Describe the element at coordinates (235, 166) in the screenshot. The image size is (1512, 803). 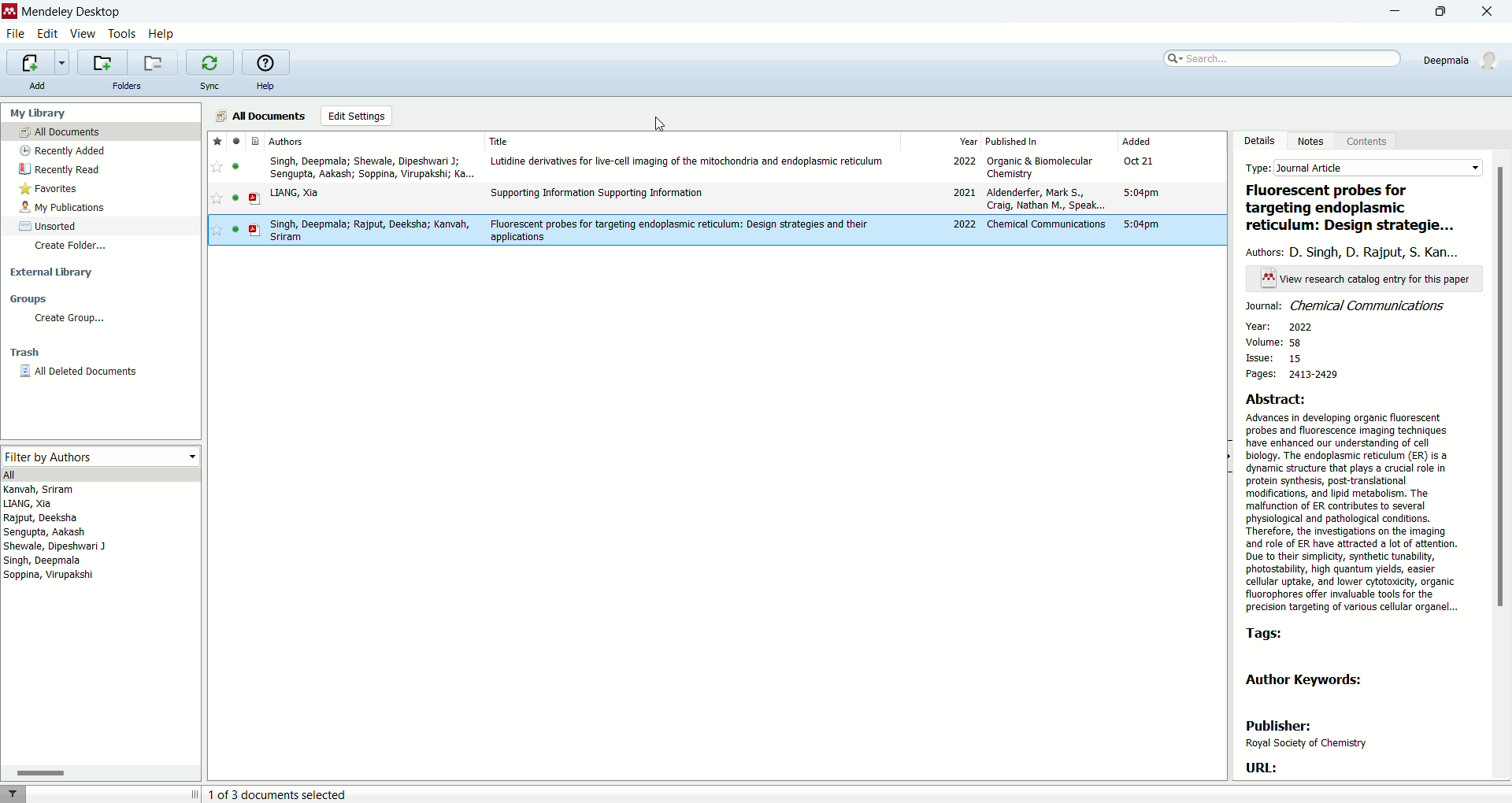
I see `read/unread` at that location.